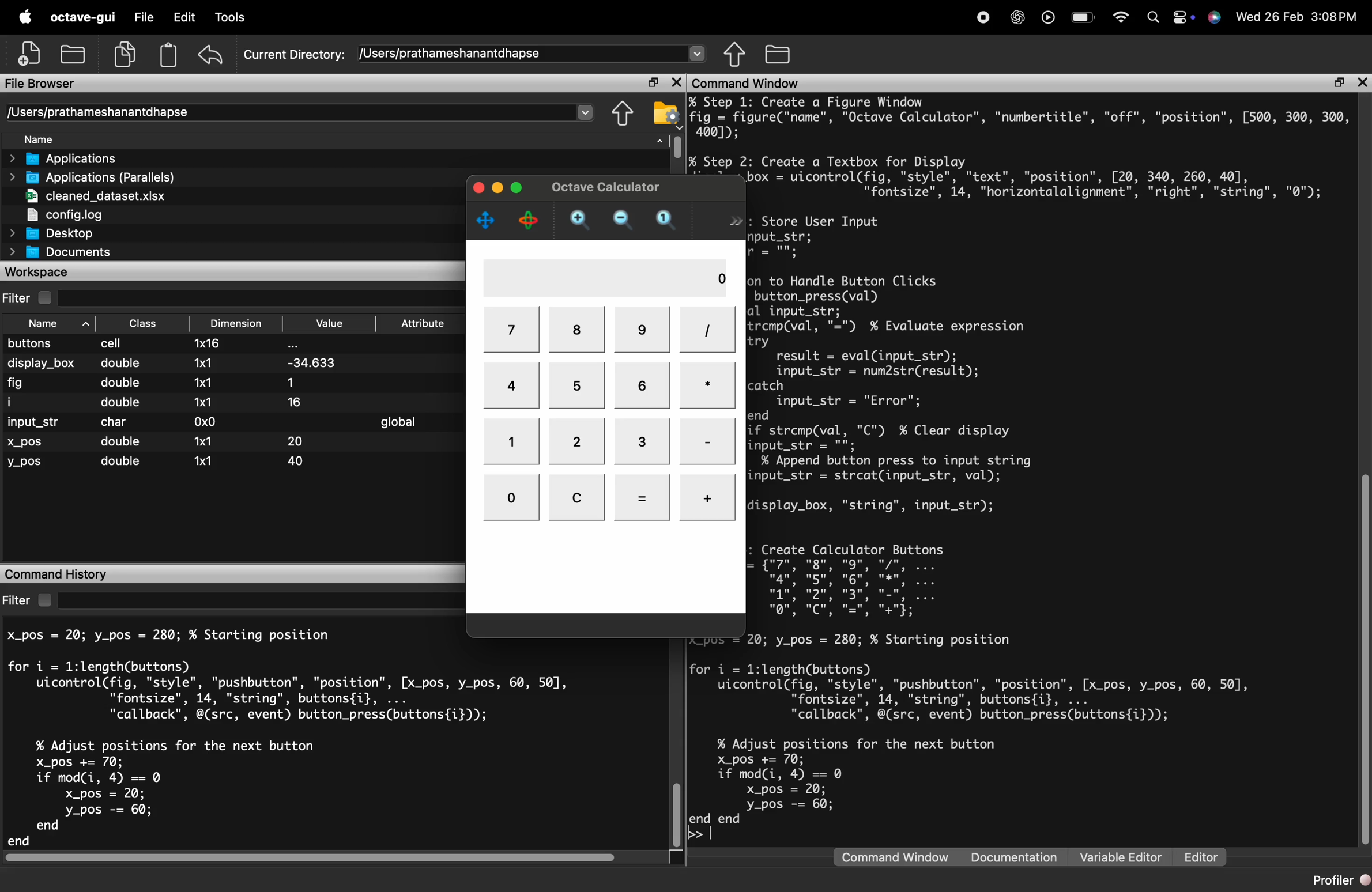 This screenshot has height=892, width=1372. What do you see at coordinates (708, 385) in the screenshot?
I see `*` at bounding box center [708, 385].